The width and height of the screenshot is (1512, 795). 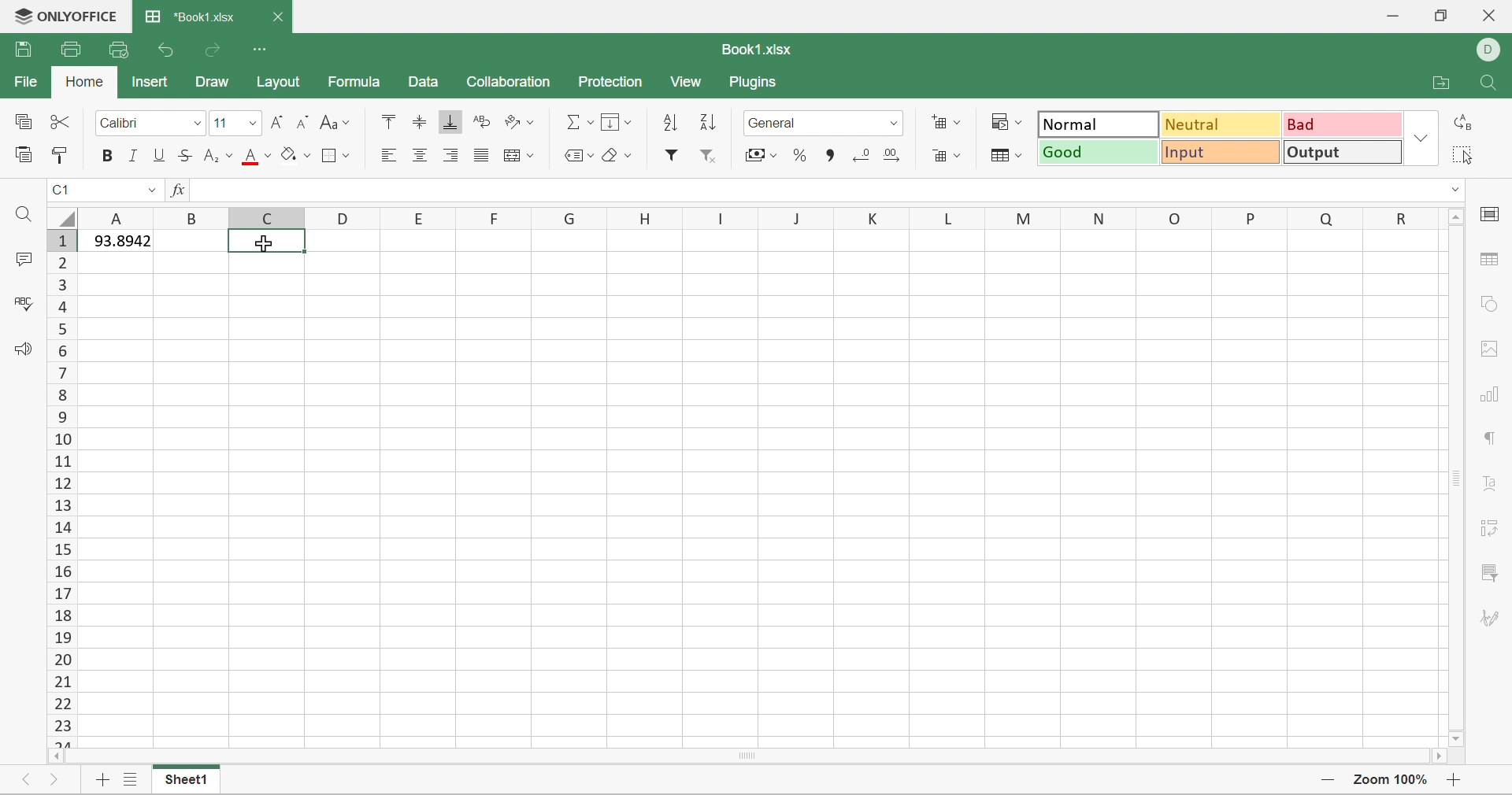 What do you see at coordinates (1453, 480) in the screenshot?
I see `Scroll Bar` at bounding box center [1453, 480].